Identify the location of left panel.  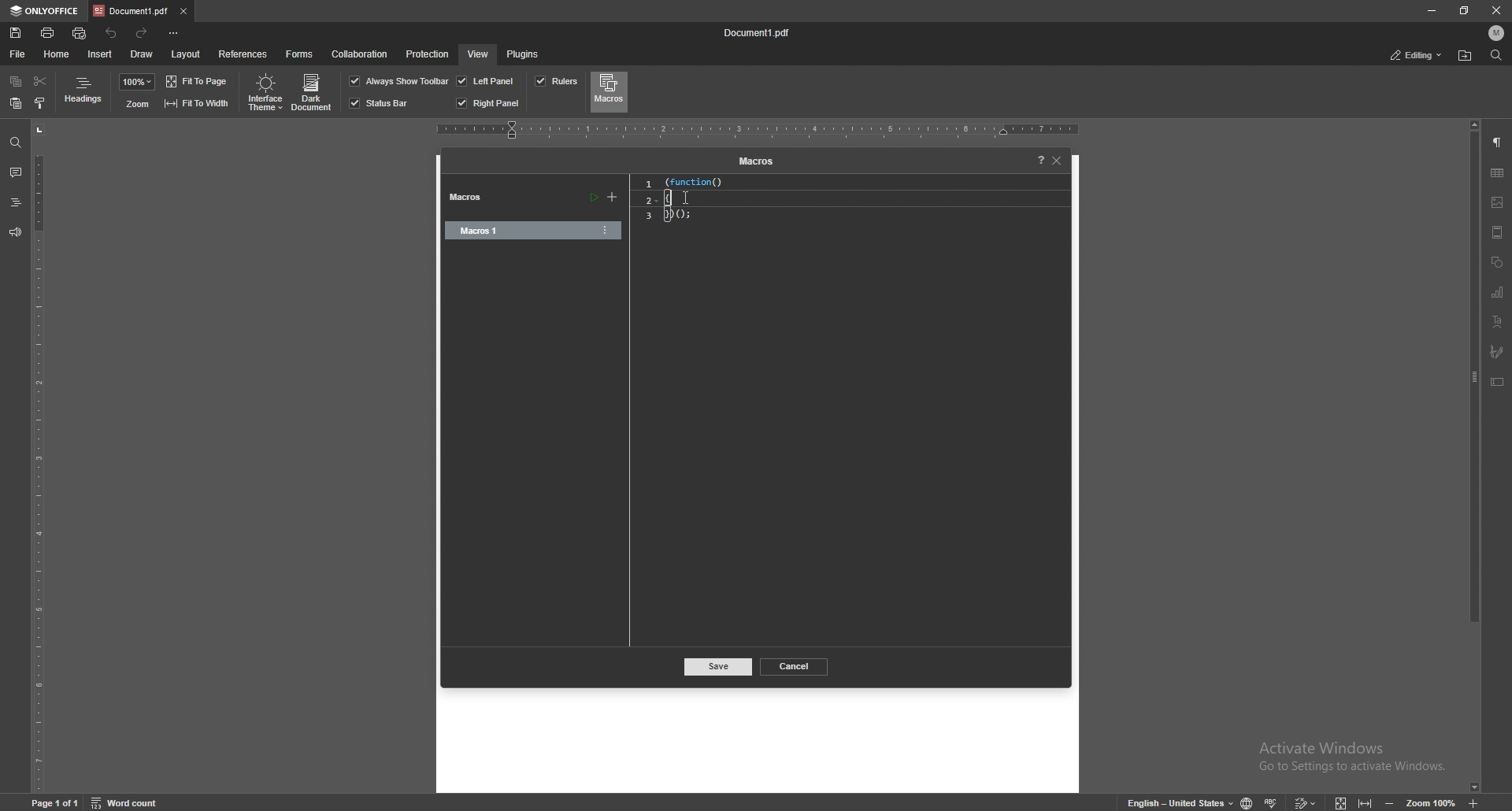
(486, 80).